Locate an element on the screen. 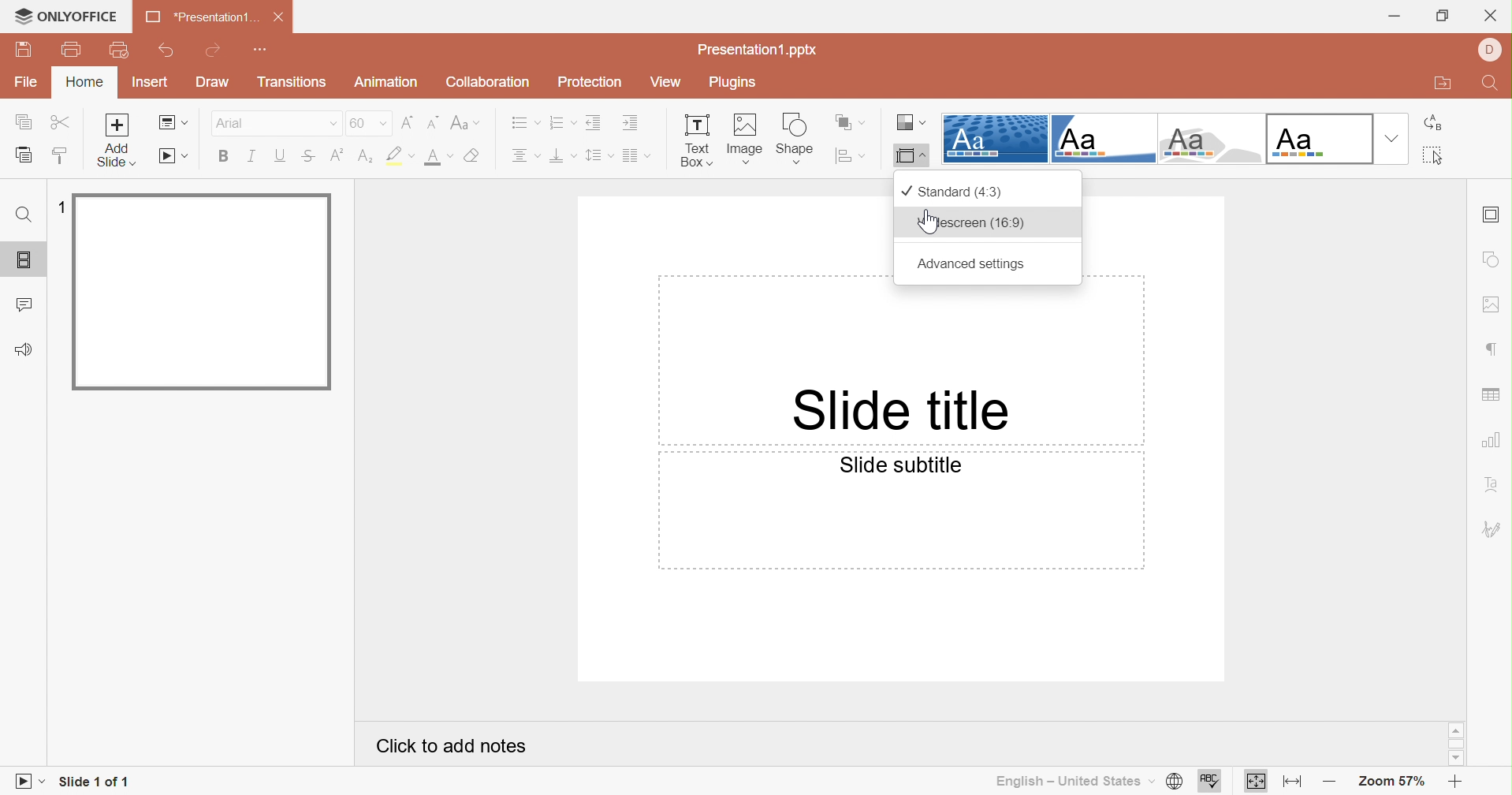 This screenshot has width=1512, height=795. Close is located at coordinates (281, 17).